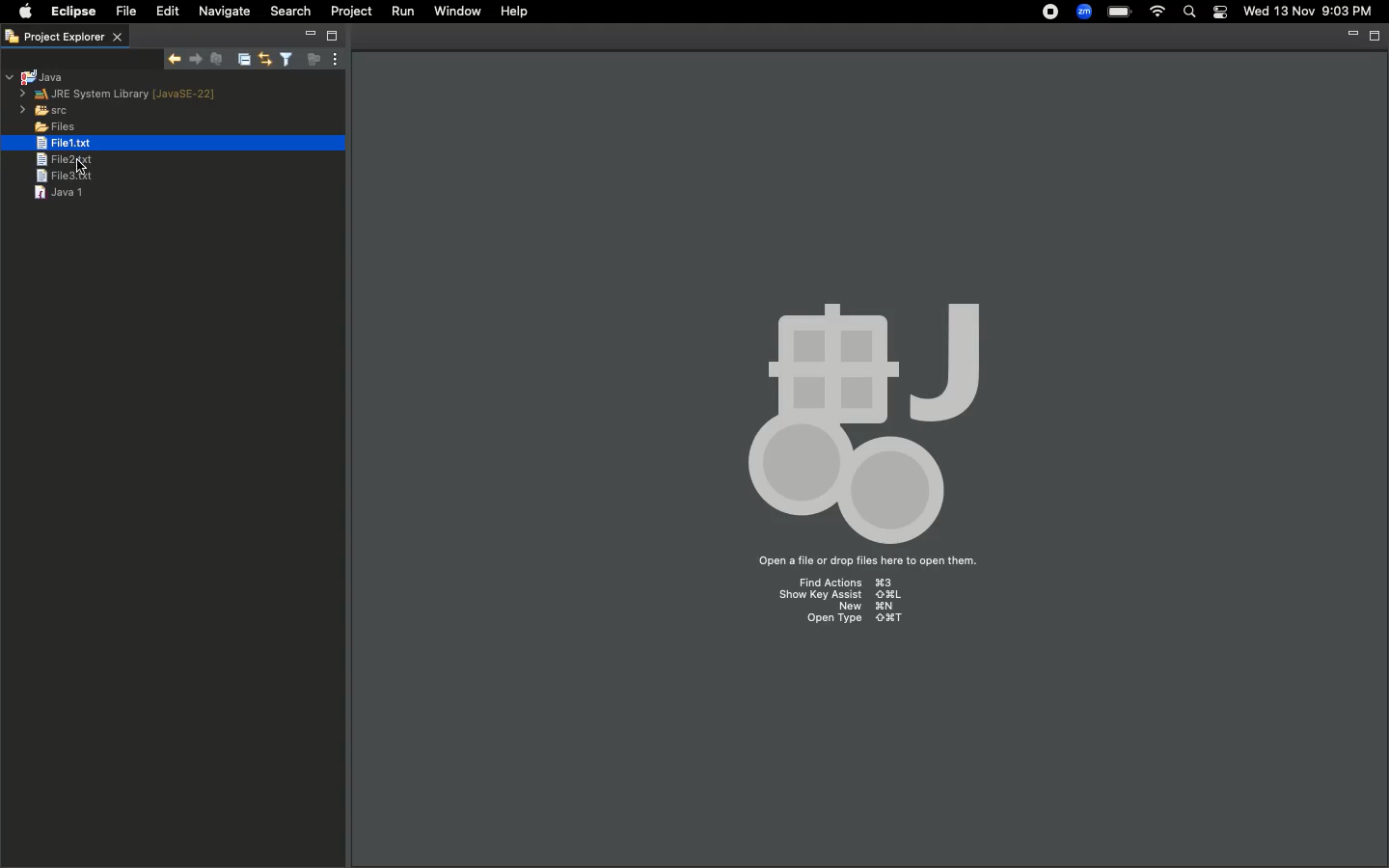  Describe the element at coordinates (1189, 13) in the screenshot. I see `Search` at that location.